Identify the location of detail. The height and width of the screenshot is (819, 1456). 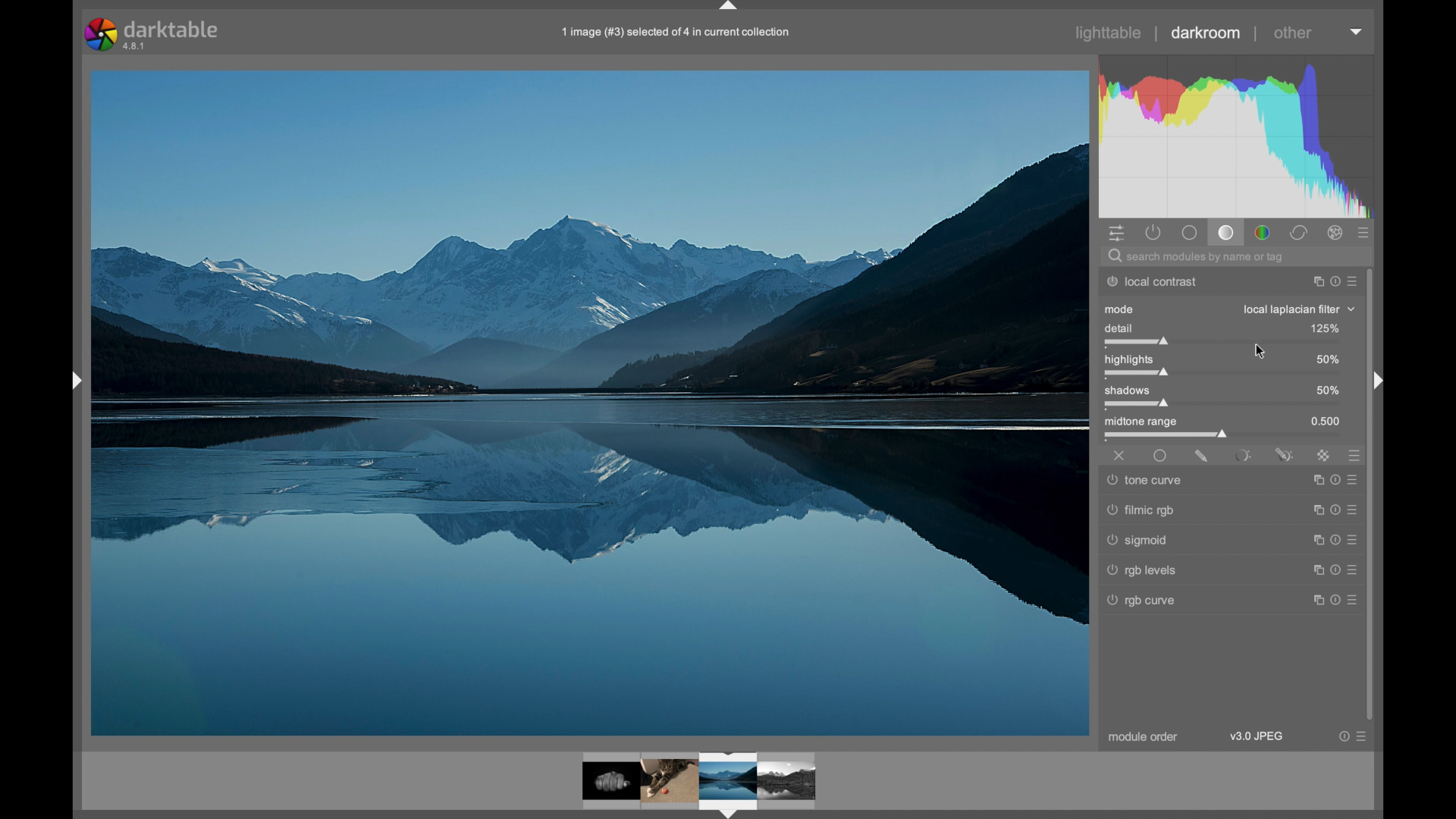
(1120, 329).